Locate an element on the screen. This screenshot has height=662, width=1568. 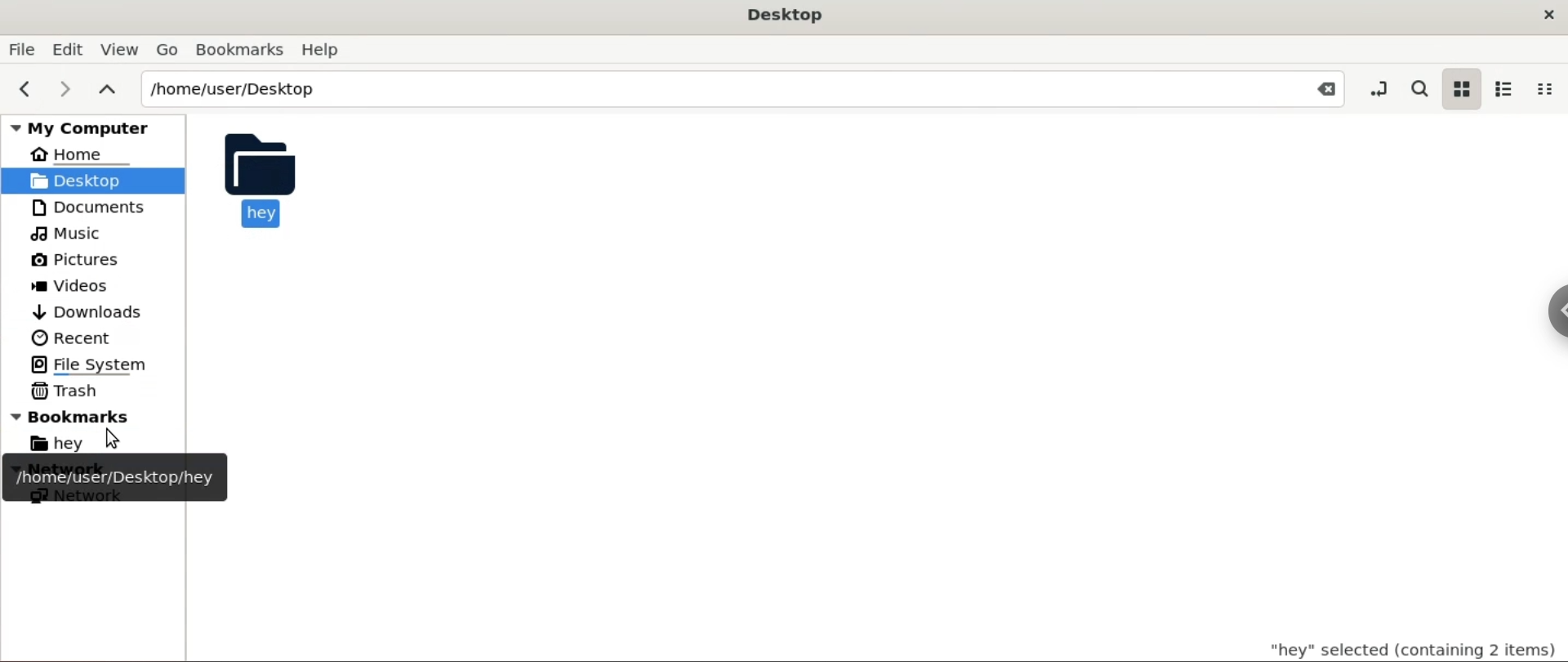
Edit is located at coordinates (69, 47).